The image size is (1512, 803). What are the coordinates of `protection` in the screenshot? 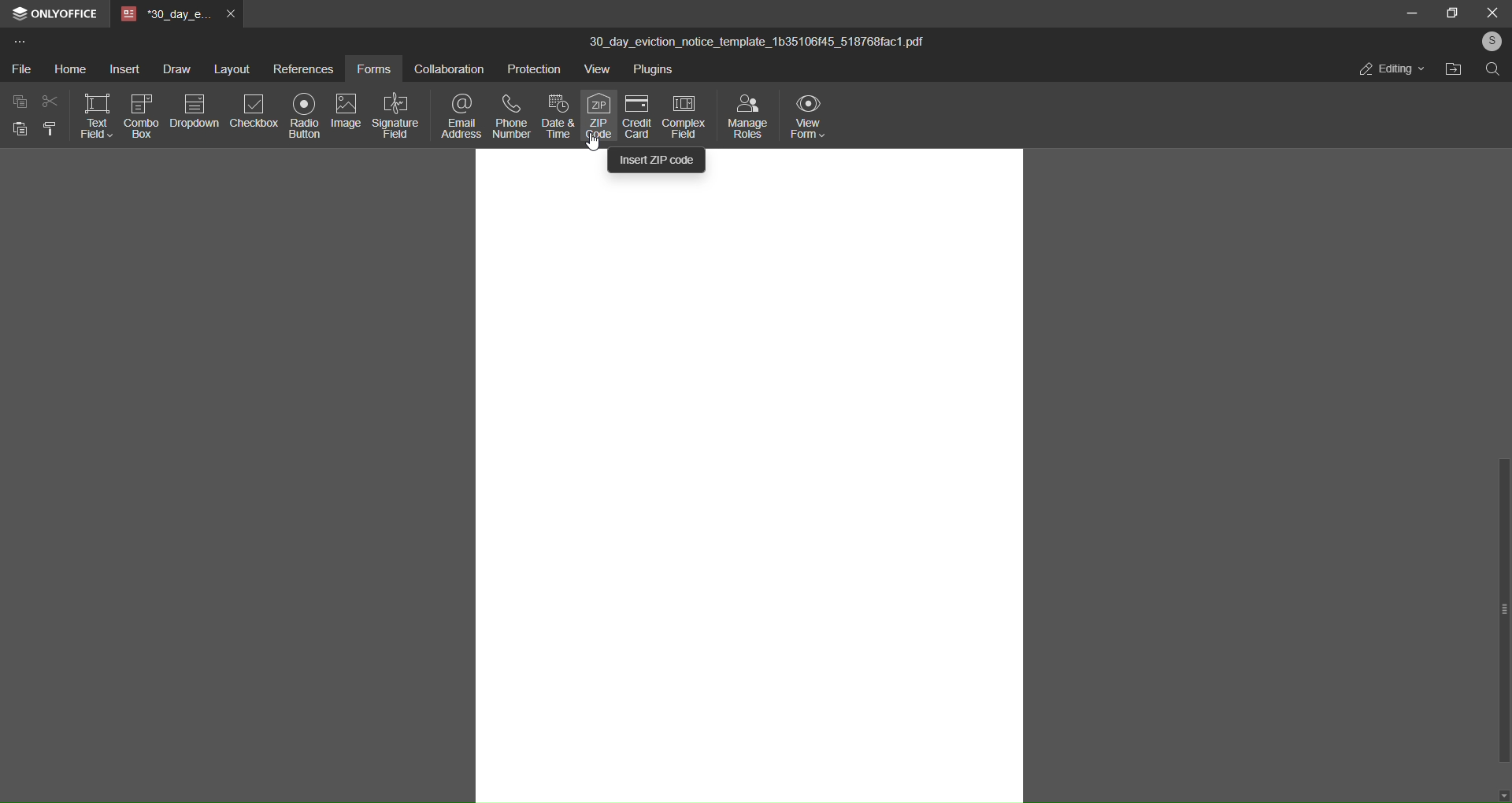 It's located at (536, 70).